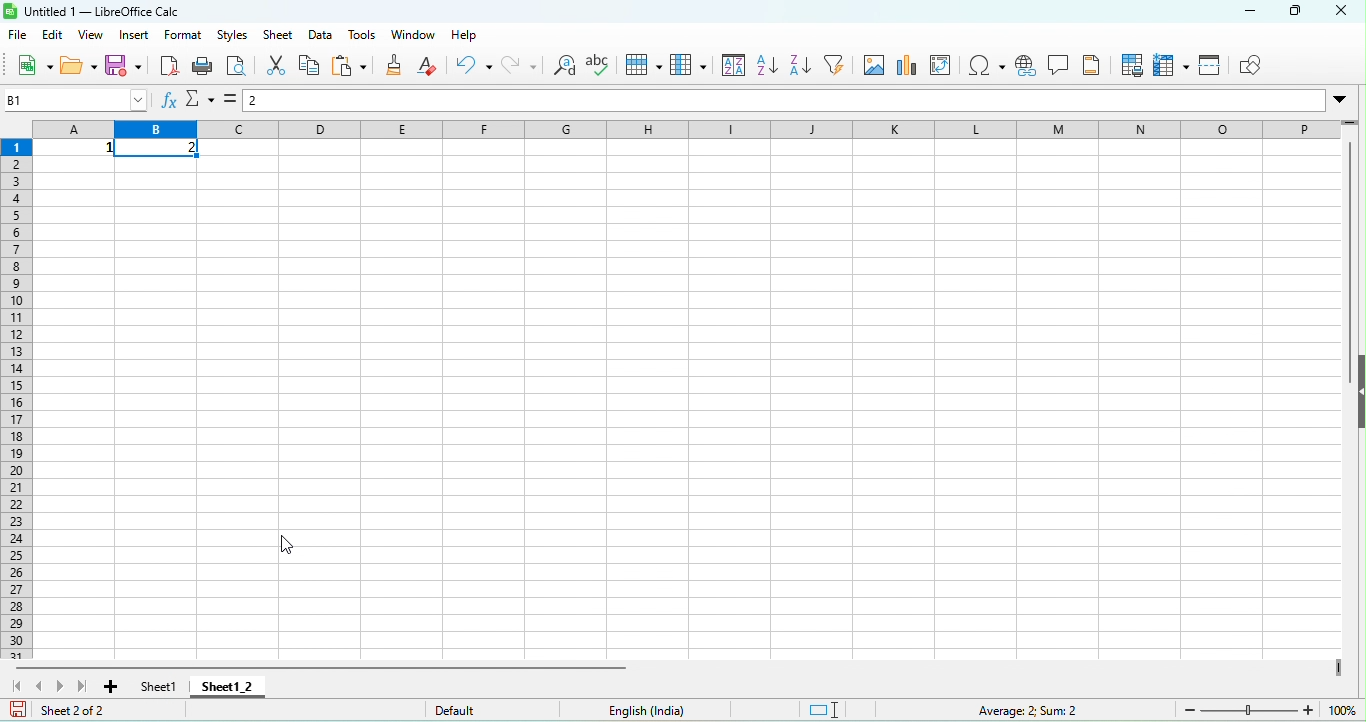  Describe the element at coordinates (325, 666) in the screenshot. I see `horizontal bar` at that location.